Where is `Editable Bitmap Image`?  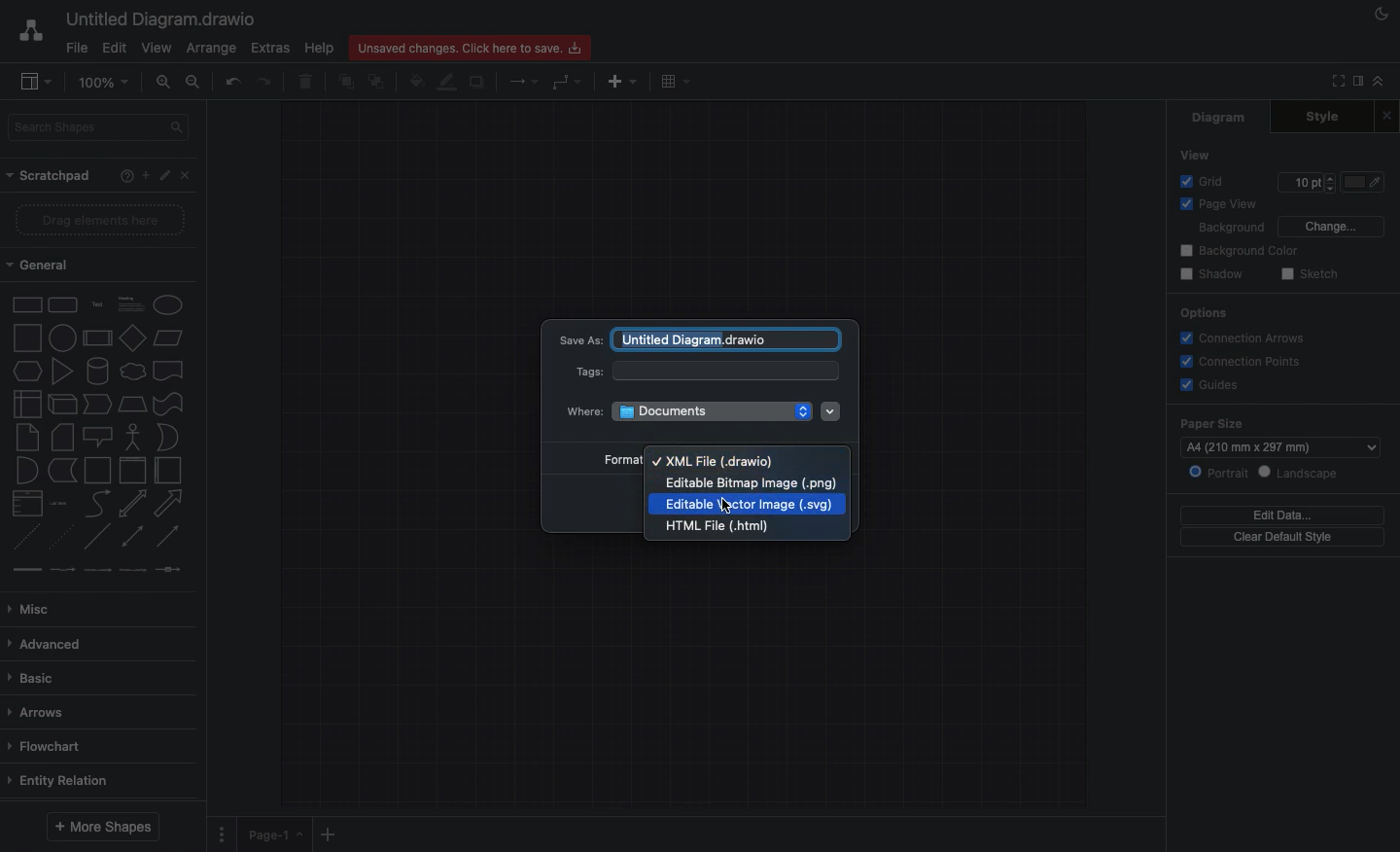 Editable Bitmap Image is located at coordinates (752, 484).